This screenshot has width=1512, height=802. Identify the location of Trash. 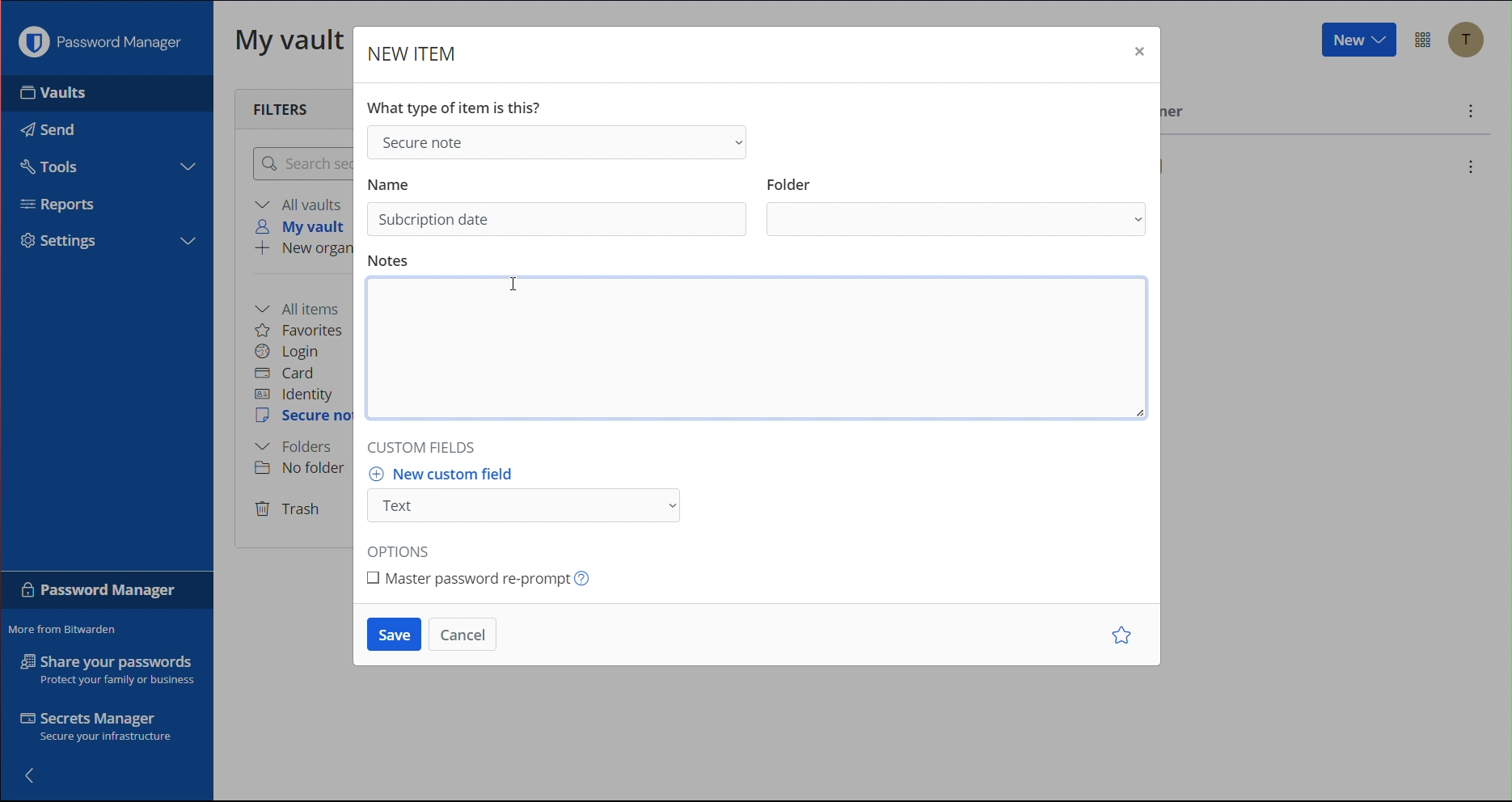
(289, 510).